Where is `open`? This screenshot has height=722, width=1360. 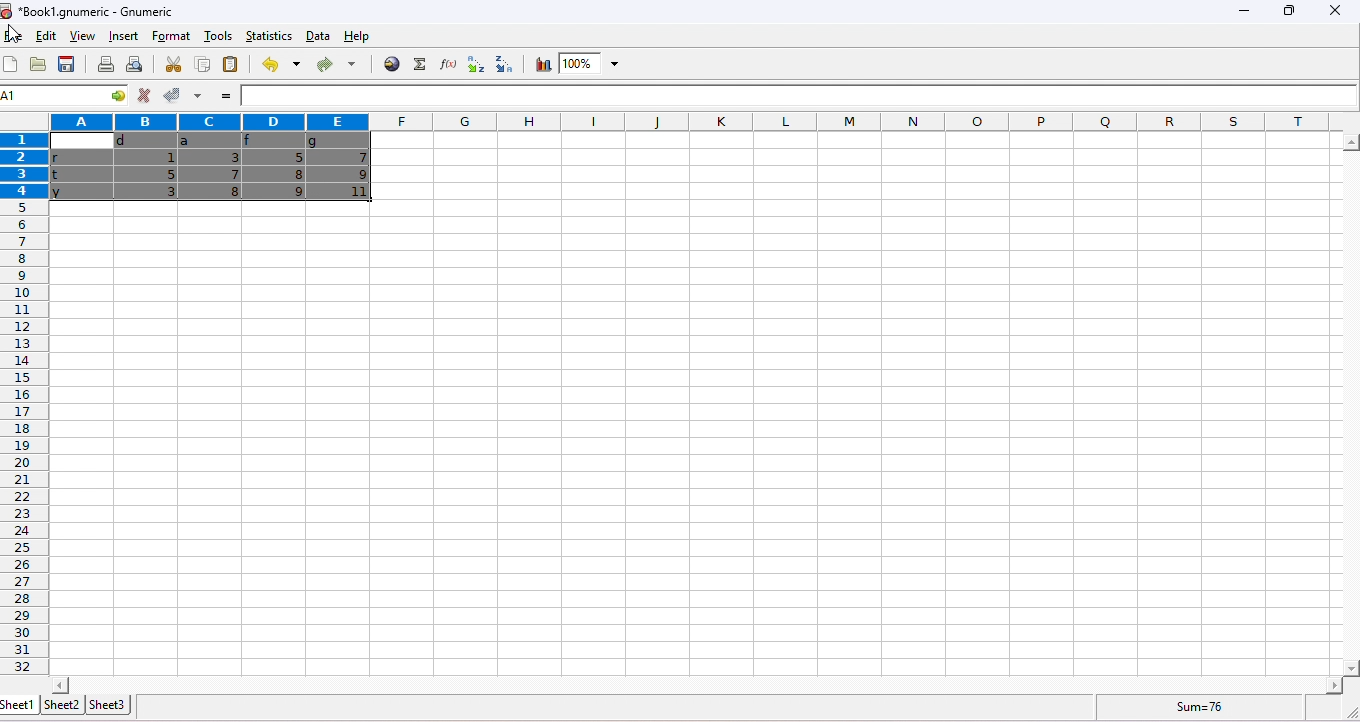 open is located at coordinates (38, 65).